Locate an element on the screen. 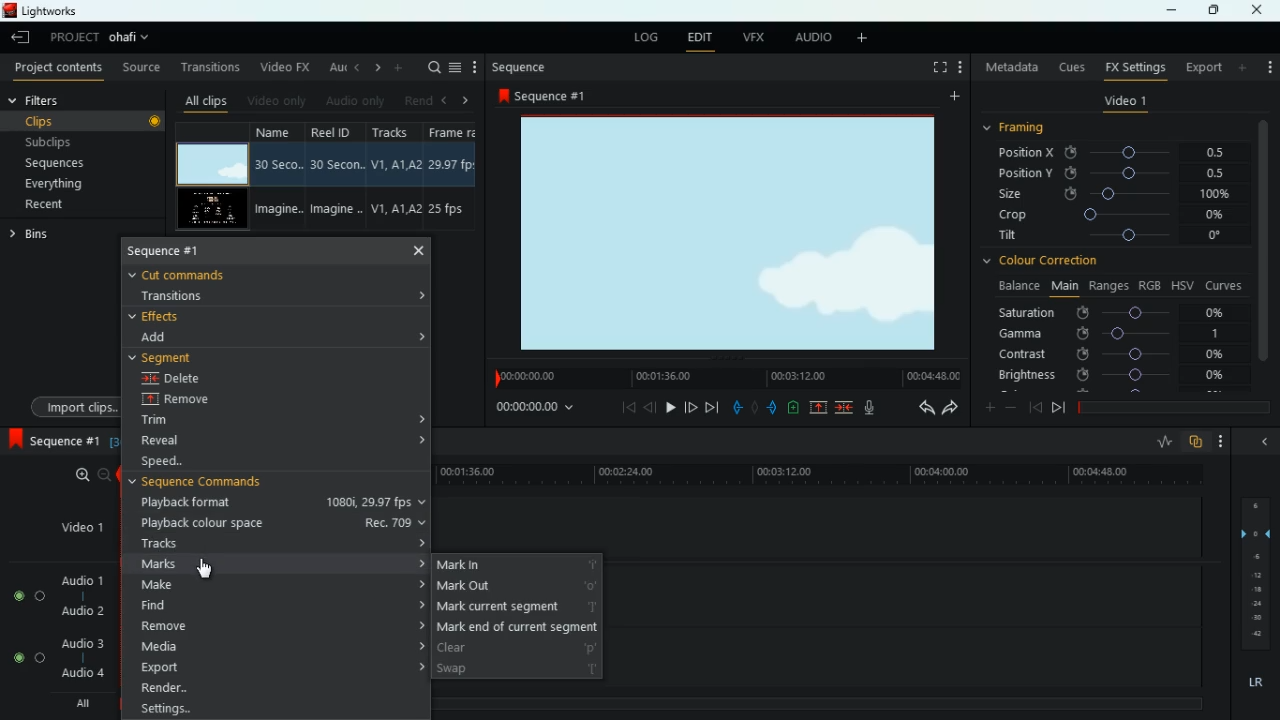 Image resolution: width=1280 pixels, height=720 pixels. colour correction is located at coordinates (1049, 262).